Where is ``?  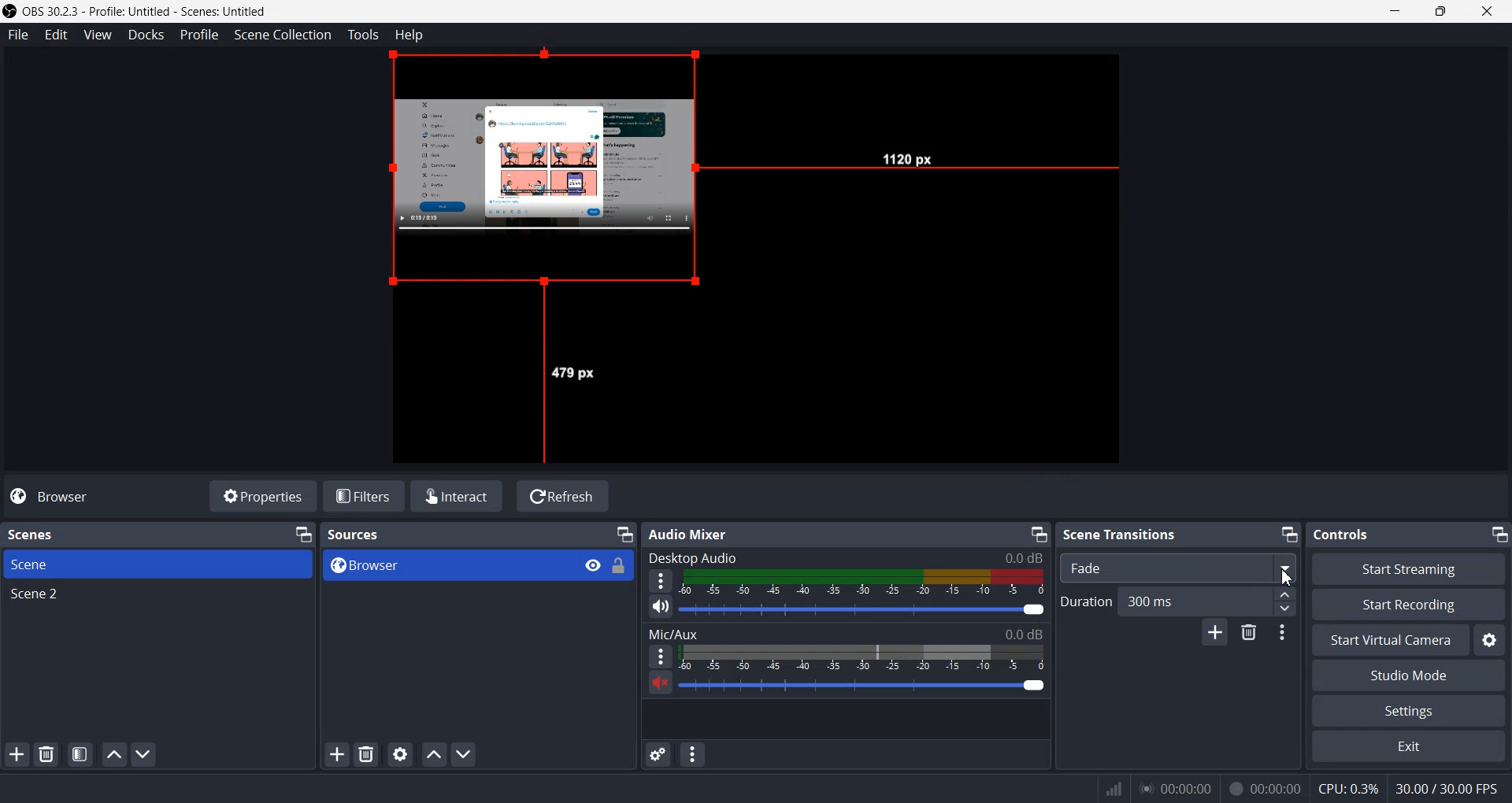
 is located at coordinates (1348, 789).